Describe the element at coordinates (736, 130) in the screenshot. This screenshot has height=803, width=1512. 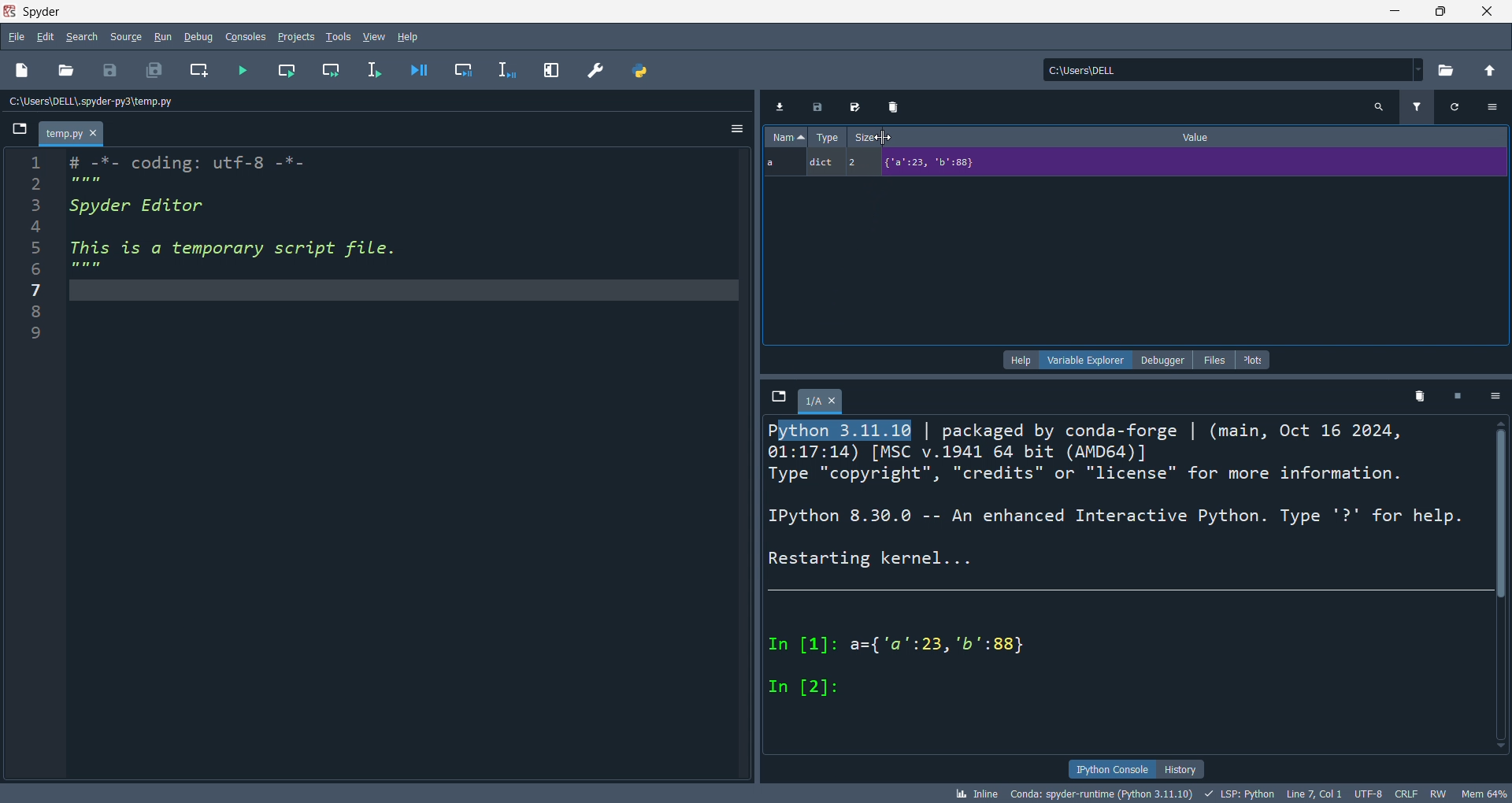
I see `options` at that location.